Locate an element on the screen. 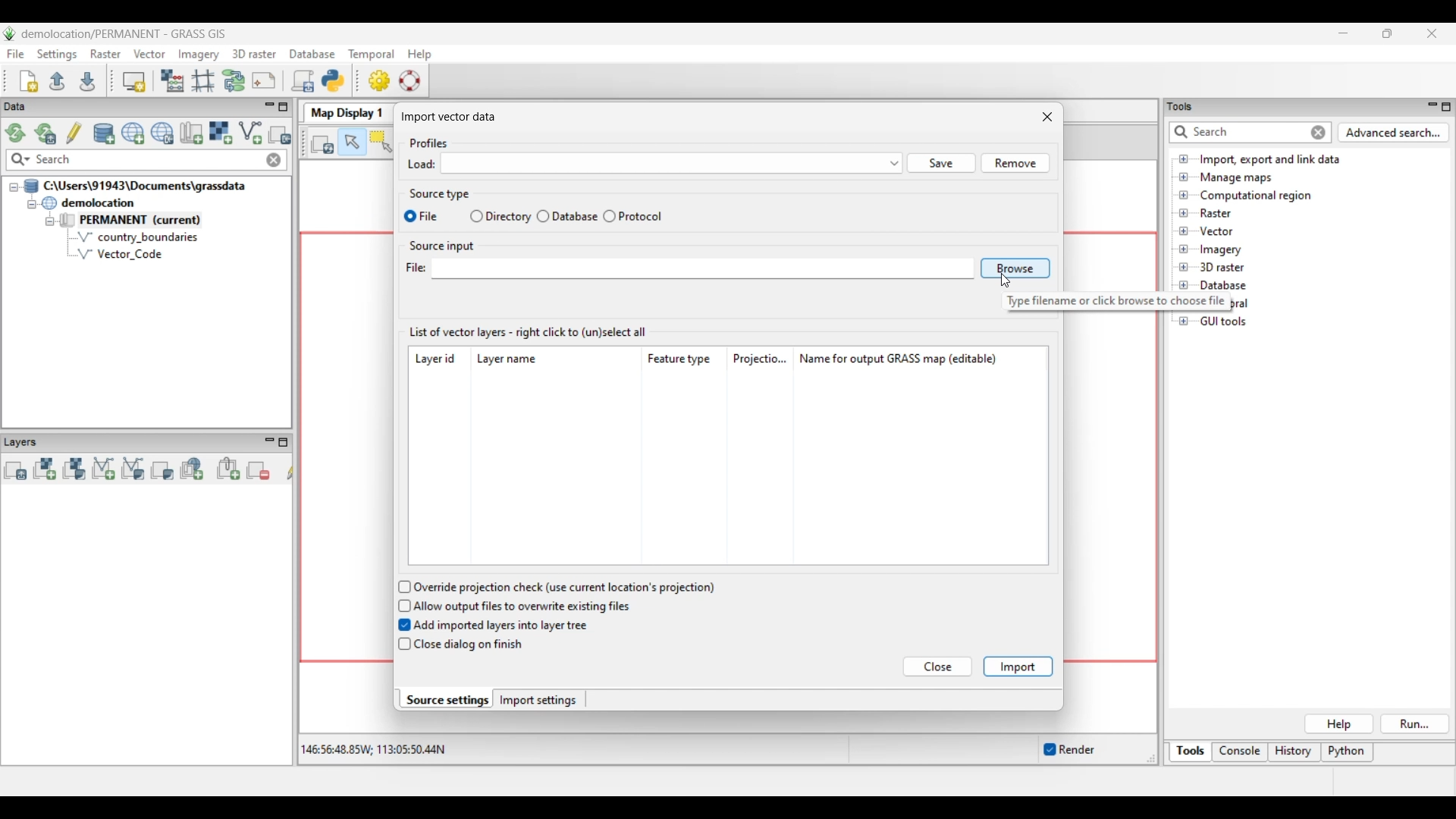 The width and height of the screenshot is (1456, 819). Cartographic composer is located at coordinates (264, 81).